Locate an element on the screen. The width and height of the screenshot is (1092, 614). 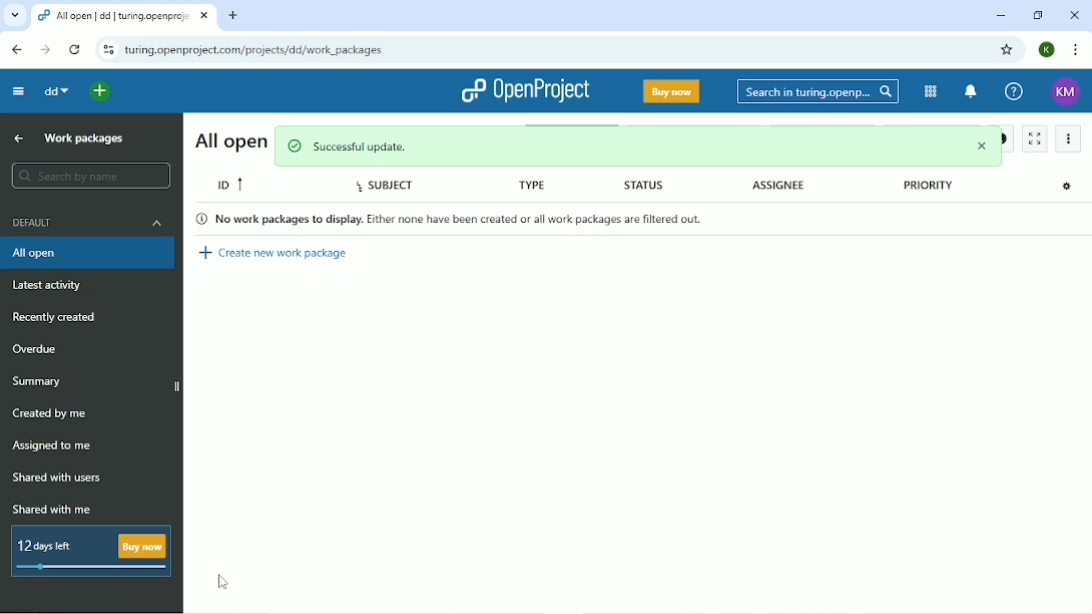
ID is located at coordinates (230, 182).